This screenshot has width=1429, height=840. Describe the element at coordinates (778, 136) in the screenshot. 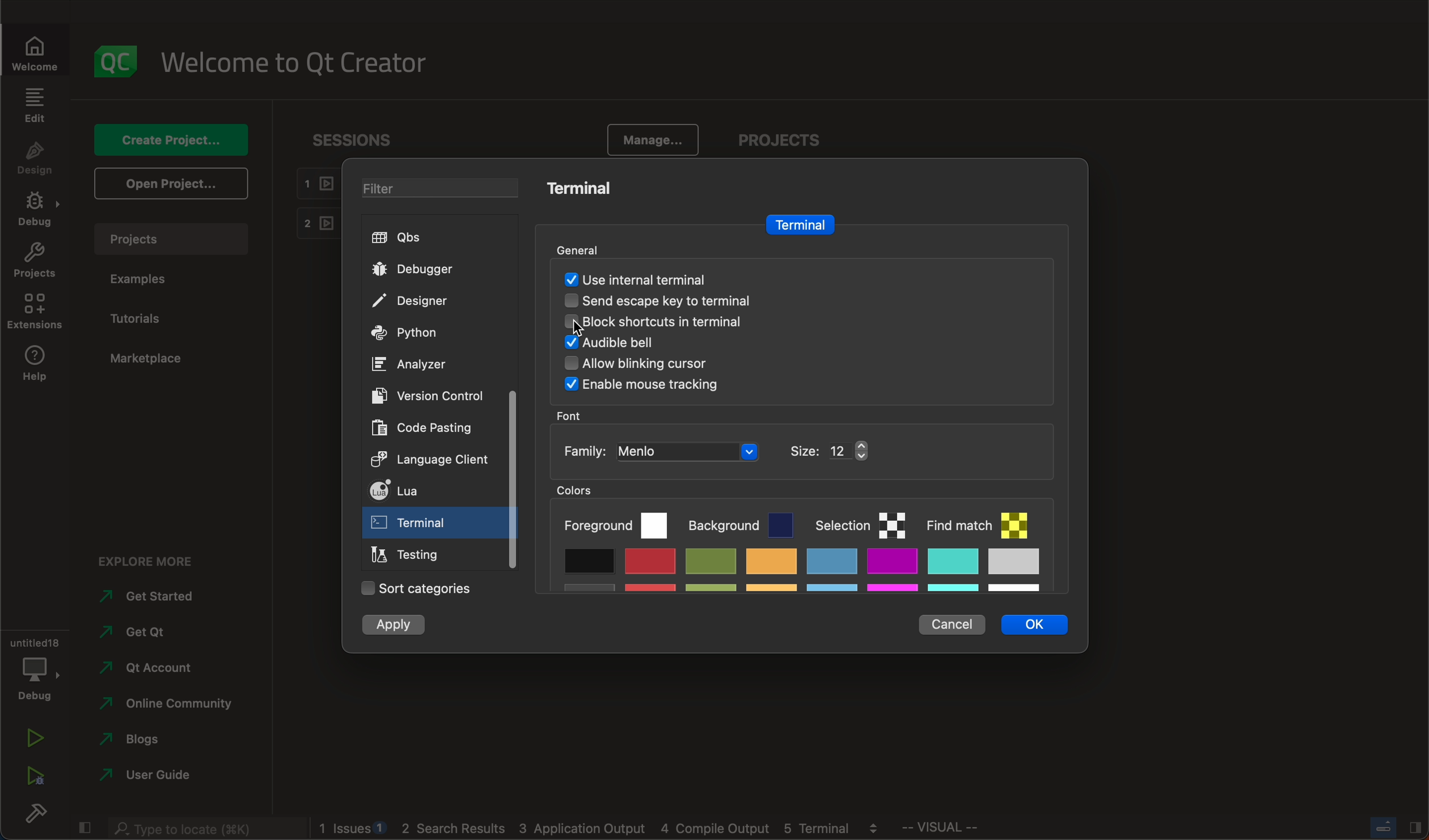

I see `projects` at that location.